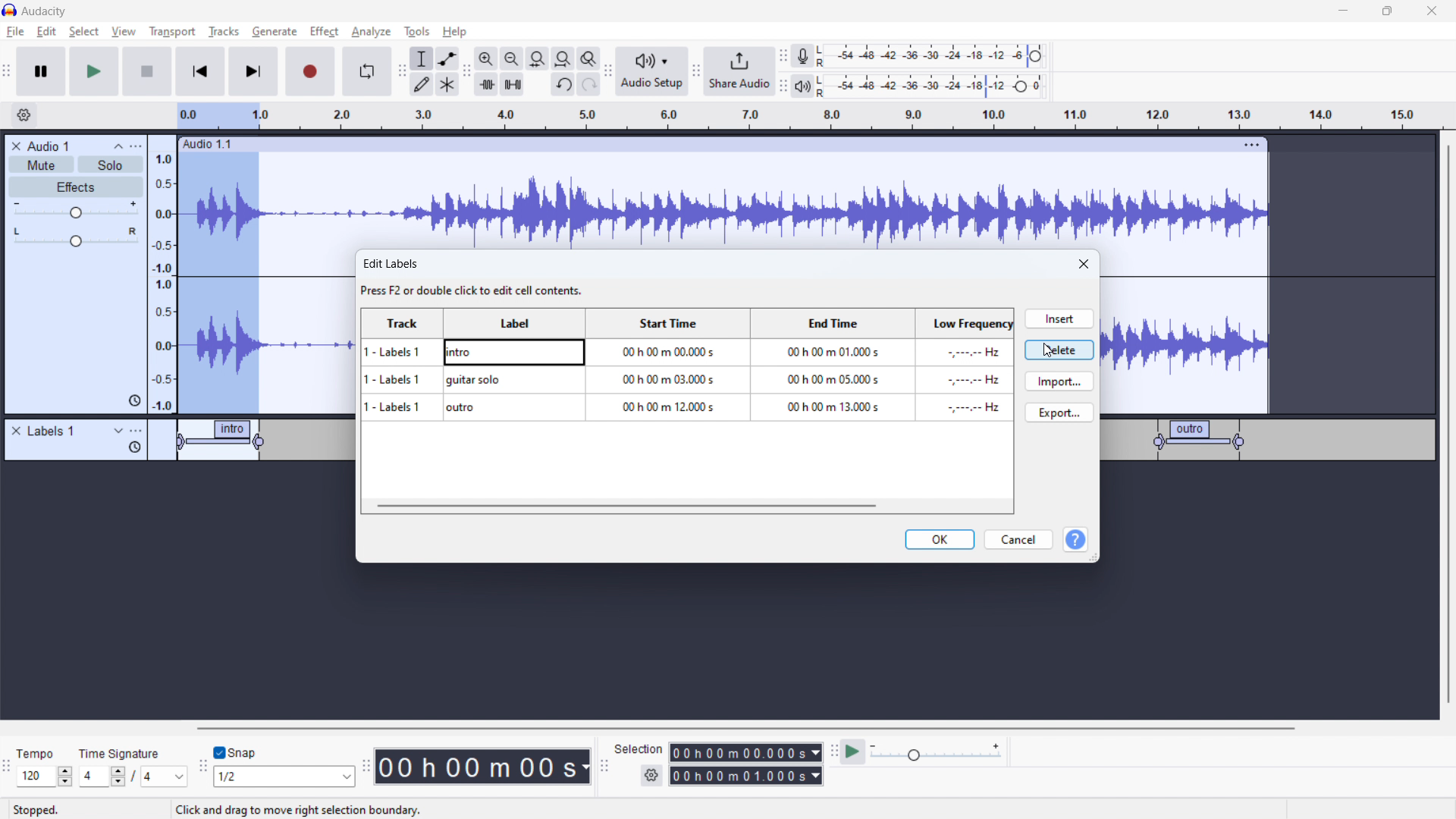 This screenshot has height=819, width=1456. What do you see at coordinates (942, 85) in the screenshot?
I see `playback level` at bounding box center [942, 85].